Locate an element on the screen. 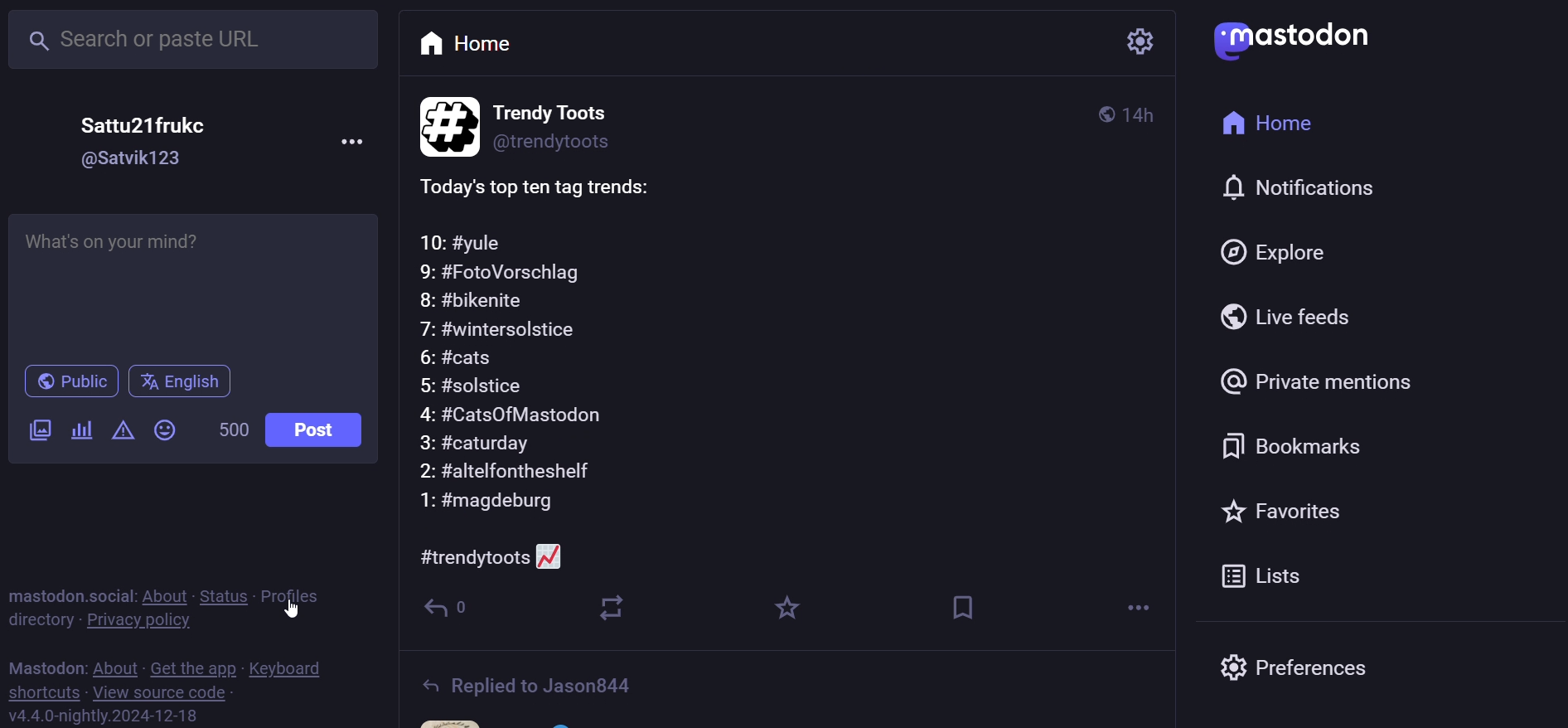  @trendytoots is located at coordinates (564, 143).